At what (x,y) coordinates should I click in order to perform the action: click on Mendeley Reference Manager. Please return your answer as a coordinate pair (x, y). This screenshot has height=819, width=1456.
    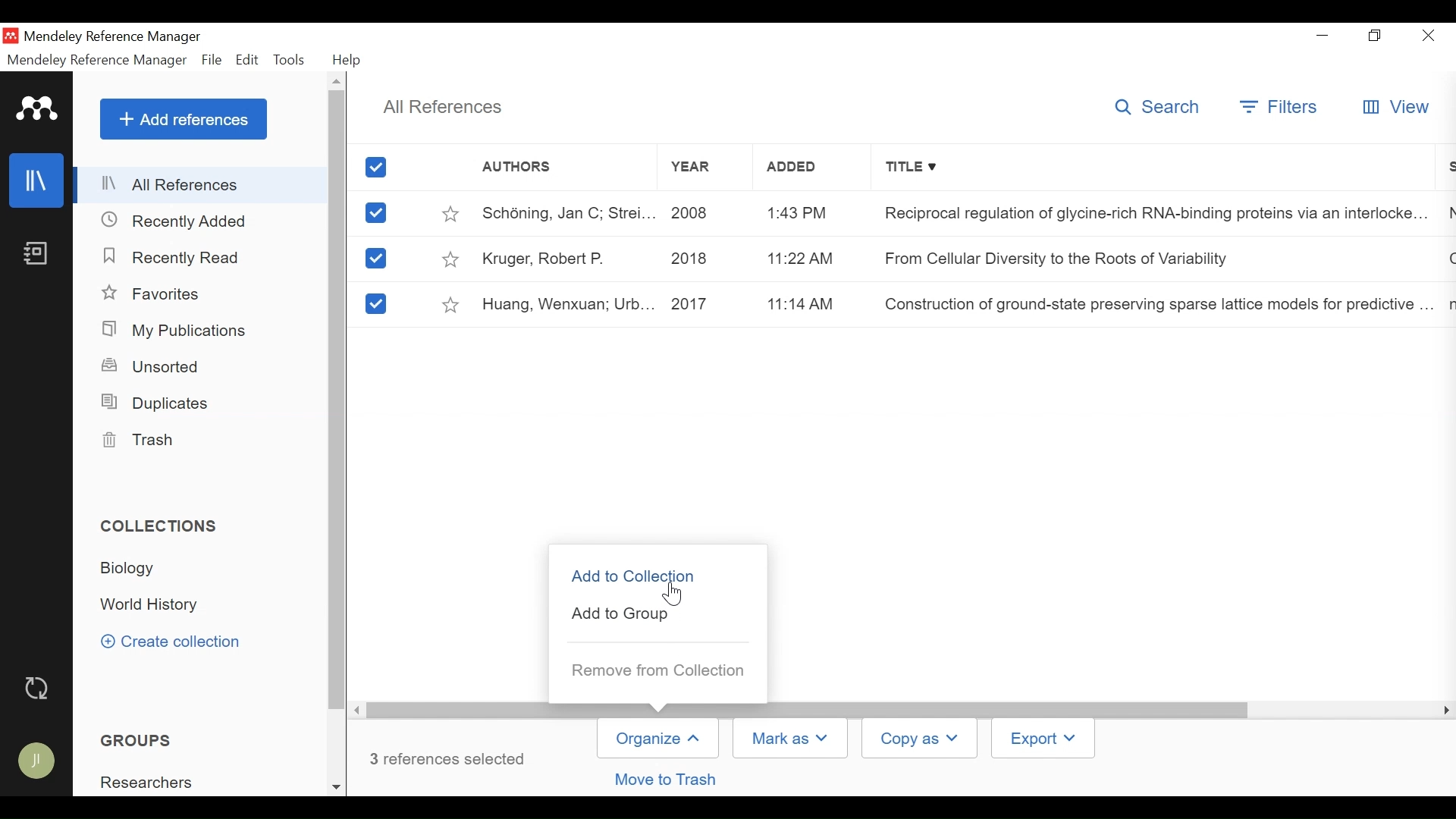
    Looking at the image, I should click on (113, 37).